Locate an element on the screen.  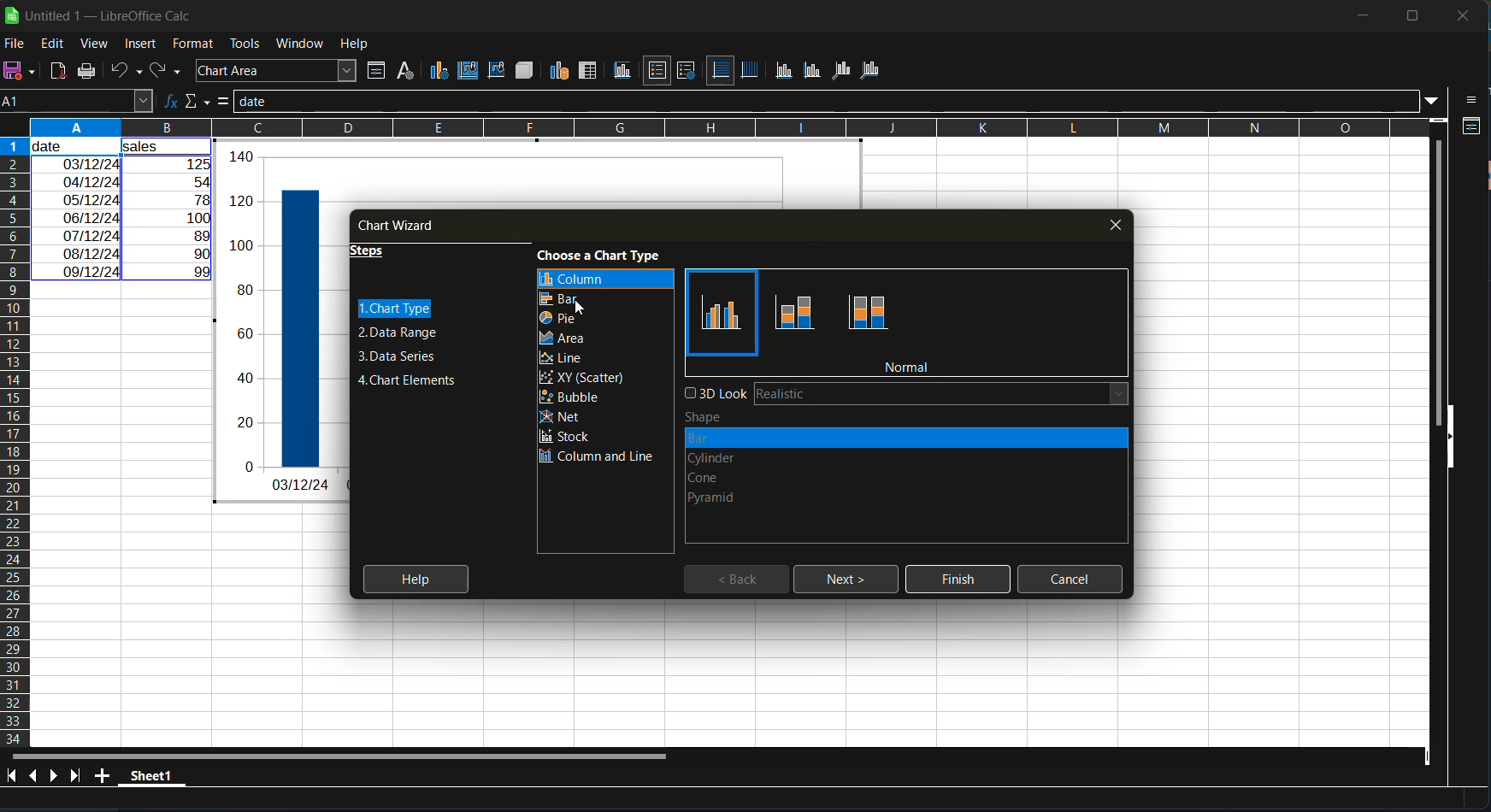
format selection is located at coordinates (374, 72).